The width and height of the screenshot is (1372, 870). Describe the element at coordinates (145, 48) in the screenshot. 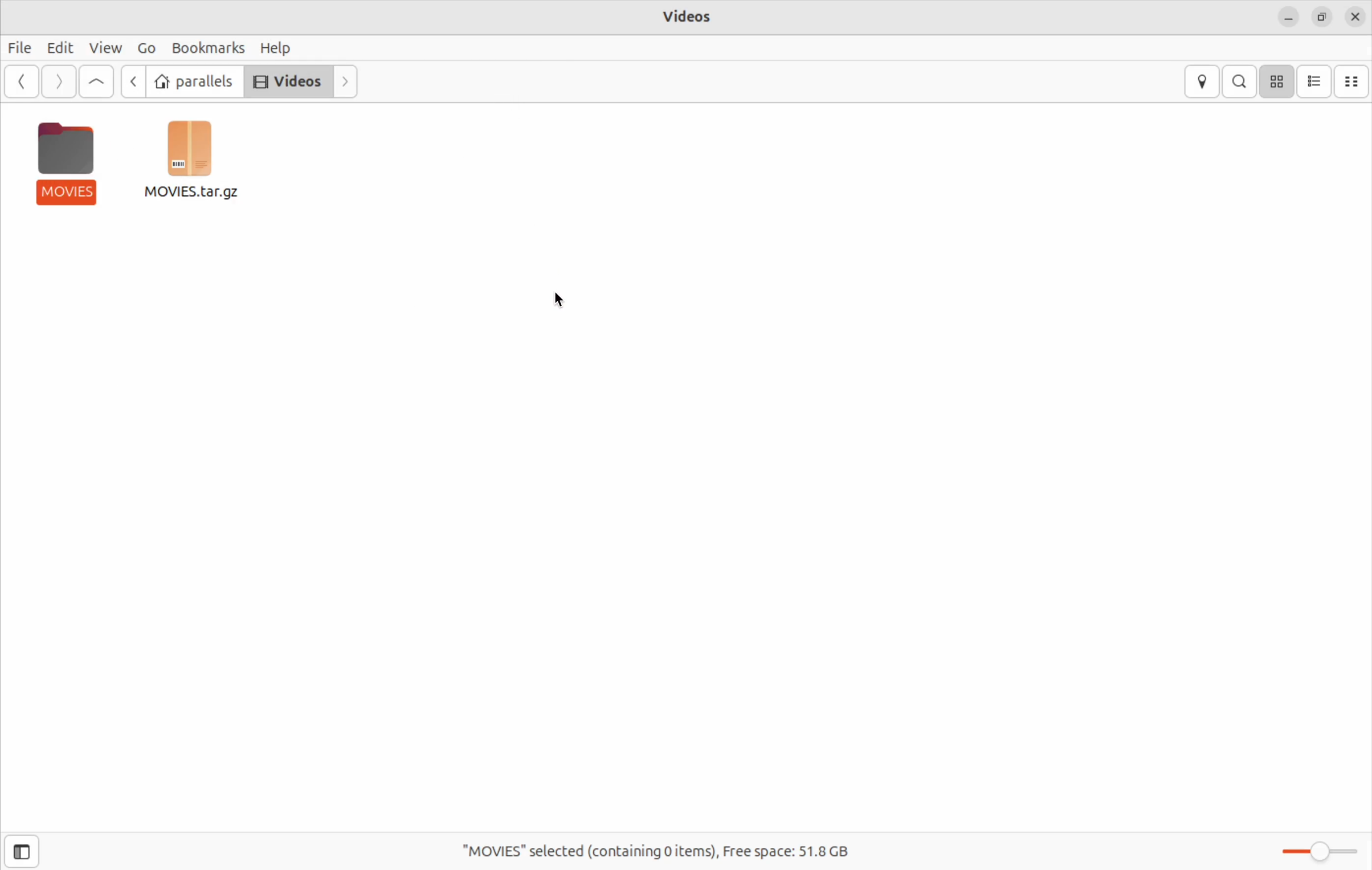

I see `GO` at that location.